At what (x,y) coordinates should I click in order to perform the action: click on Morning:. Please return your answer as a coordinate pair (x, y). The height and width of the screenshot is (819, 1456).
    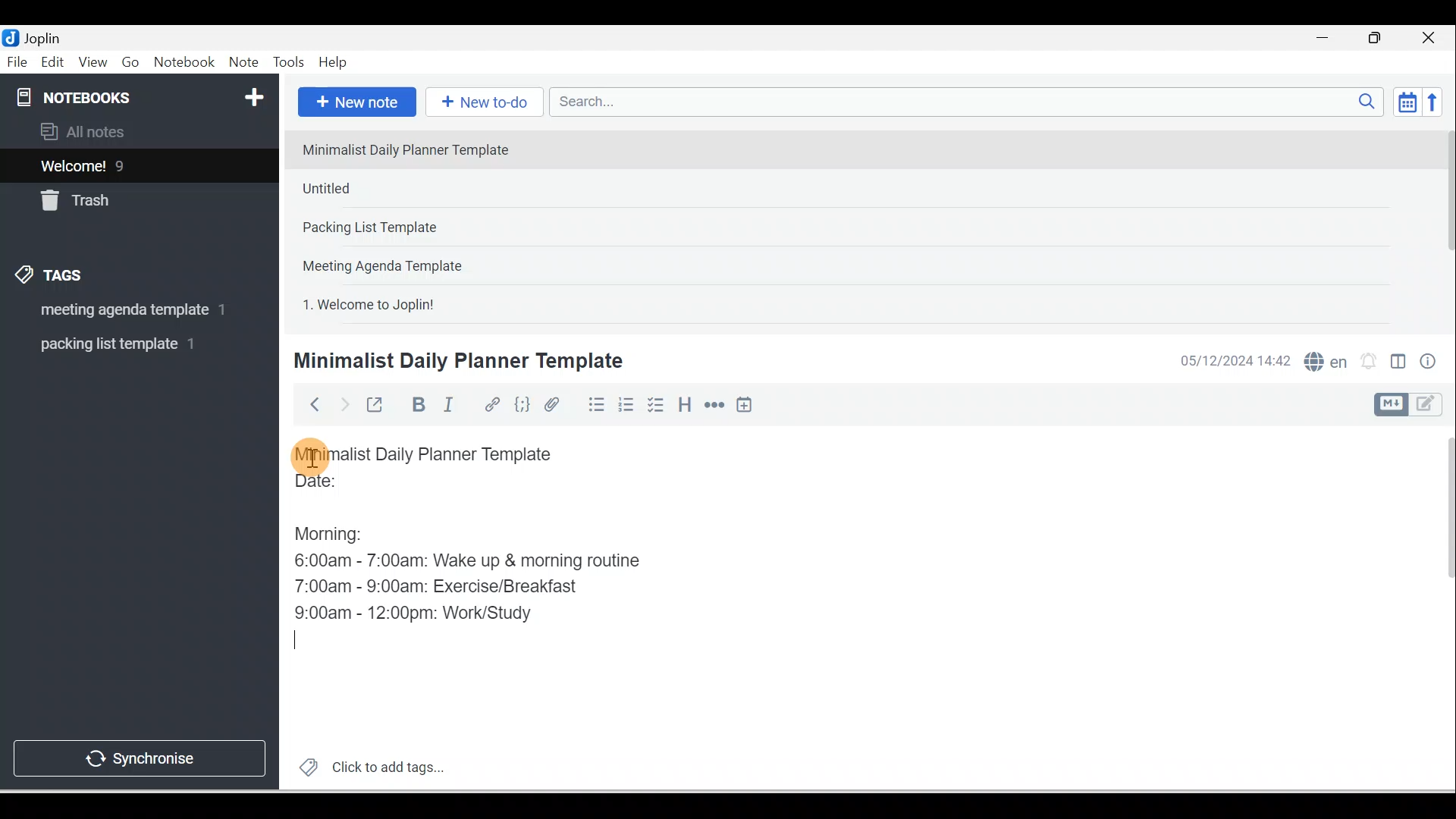
    Looking at the image, I should click on (340, 530).